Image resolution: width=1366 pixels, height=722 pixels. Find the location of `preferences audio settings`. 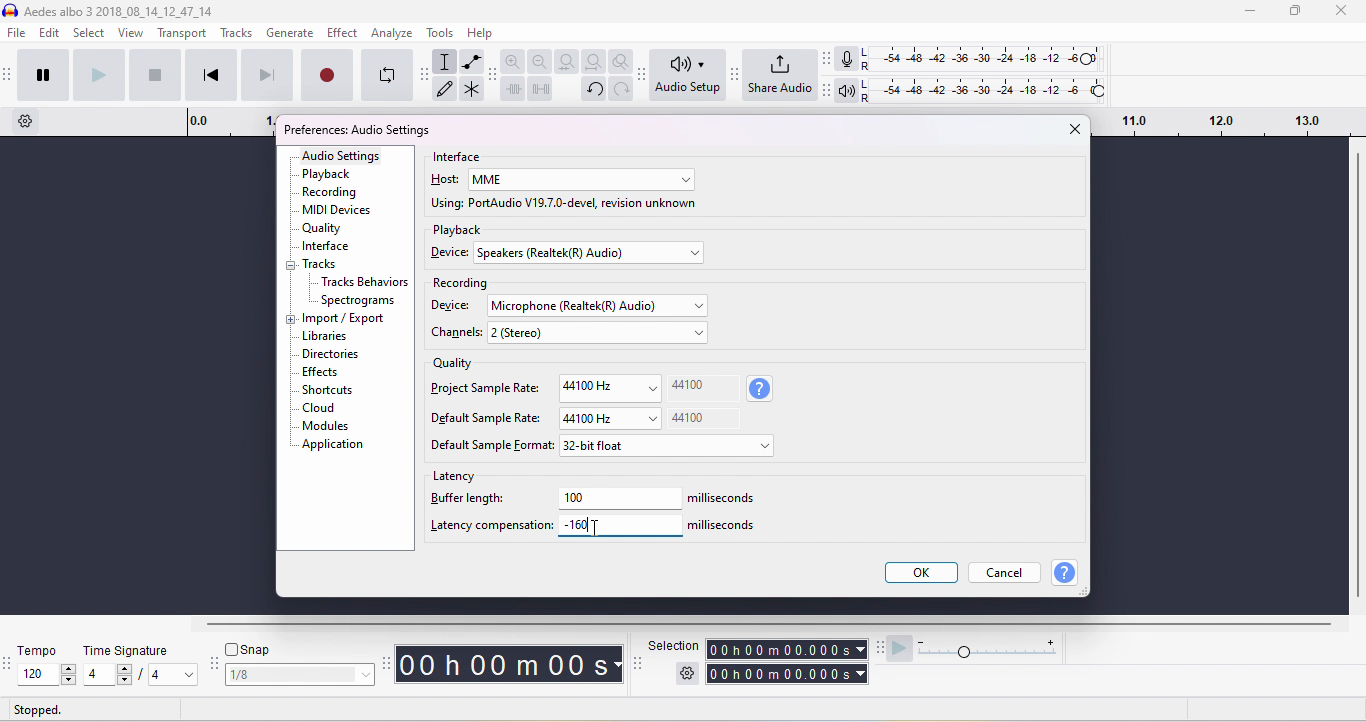

preferences audio settings is located at coordinates (356, 130).